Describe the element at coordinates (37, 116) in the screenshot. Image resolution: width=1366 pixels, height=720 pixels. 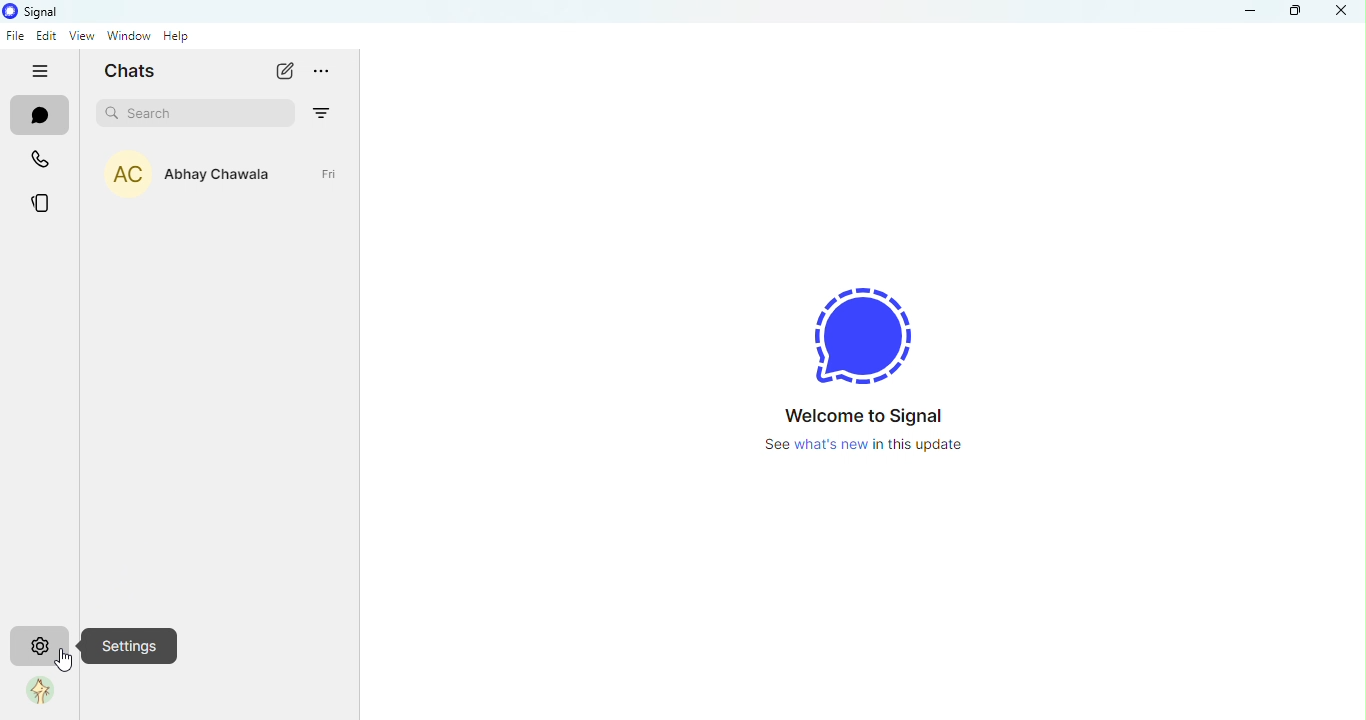
I see `chats` at that location.